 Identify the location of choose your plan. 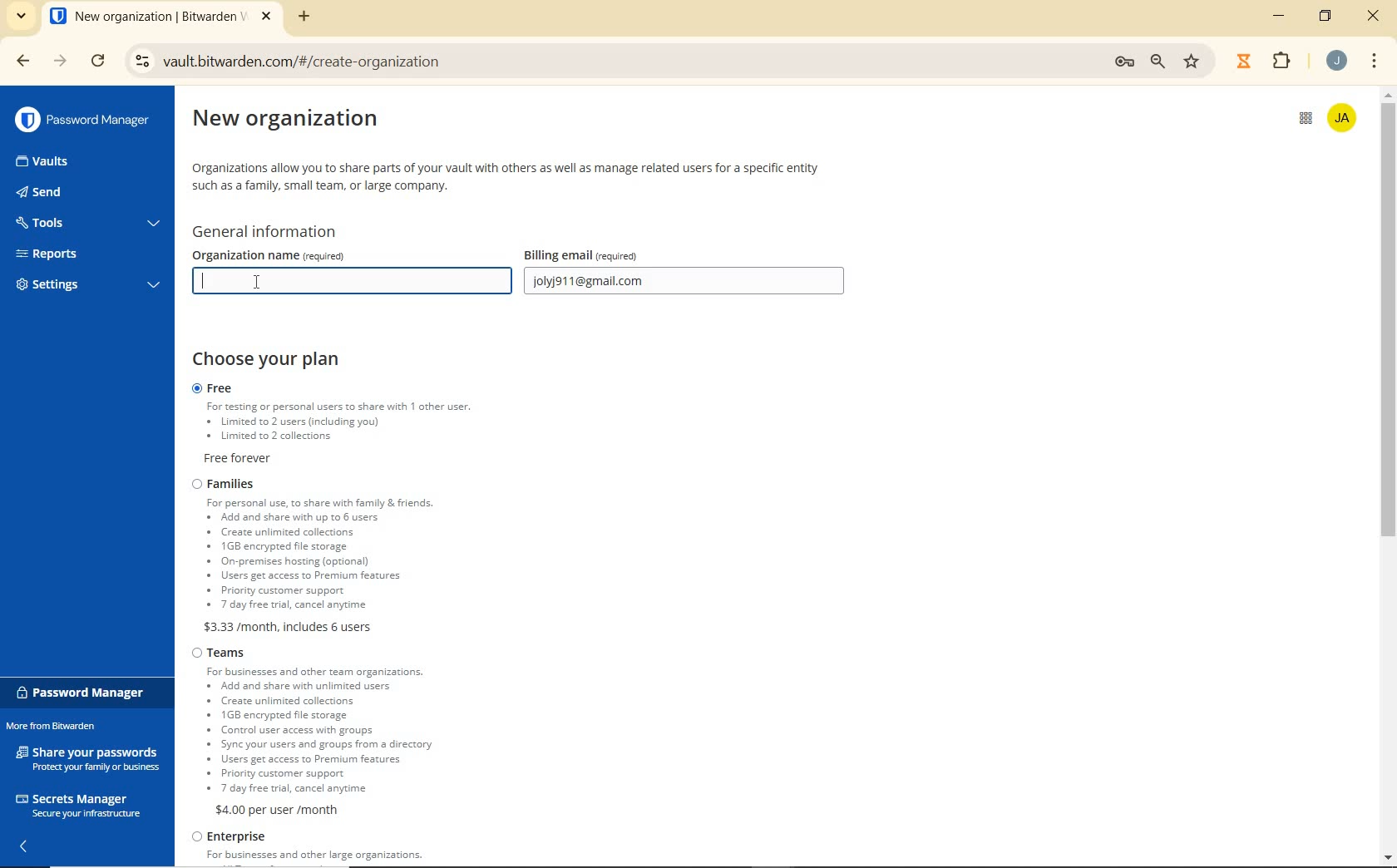
(275, 360).